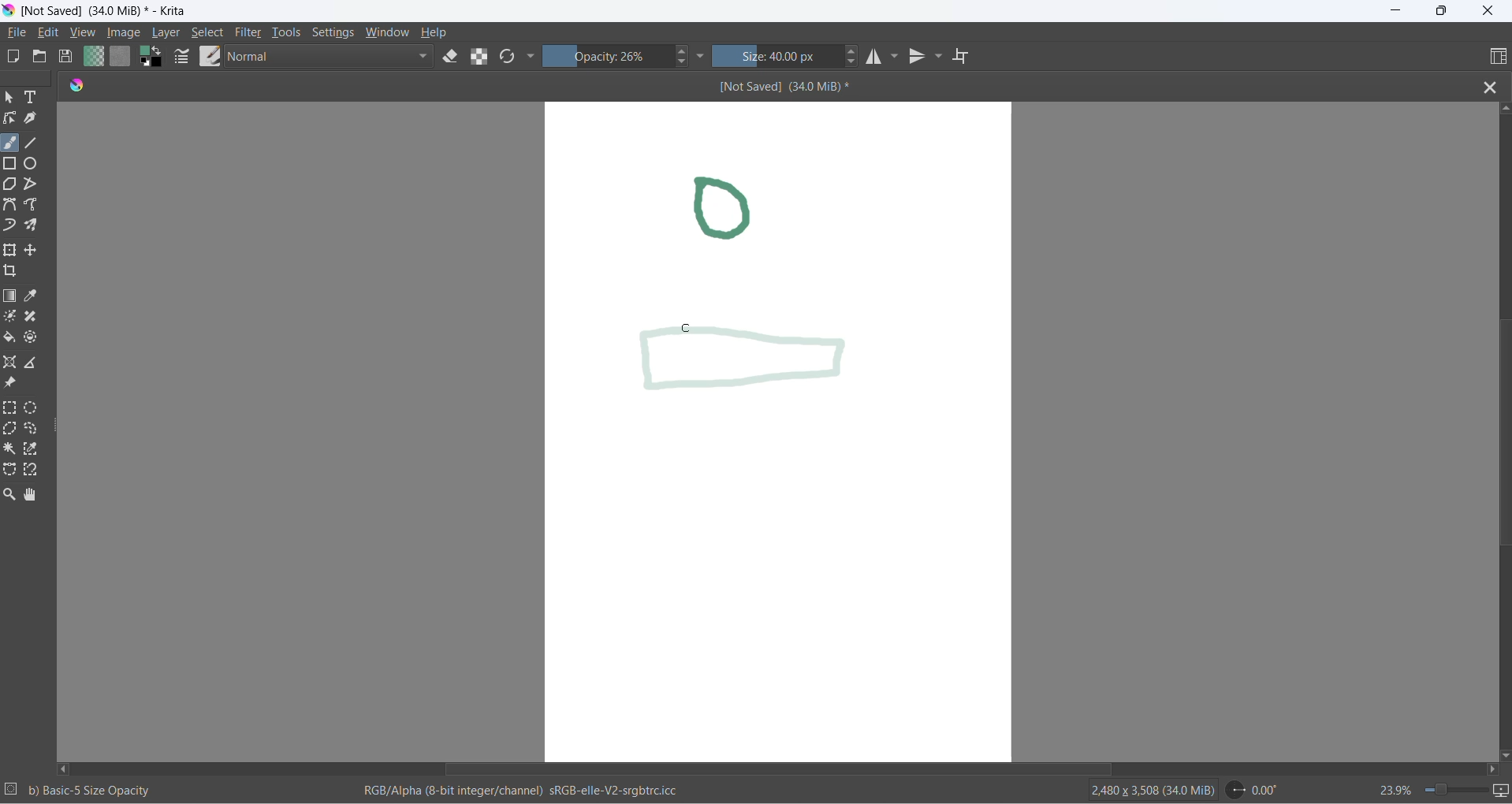 This screenshot has height=804, width=1512. Describe the element at coordinates (50, 32) in the screenshot. I see `edit` at that location.